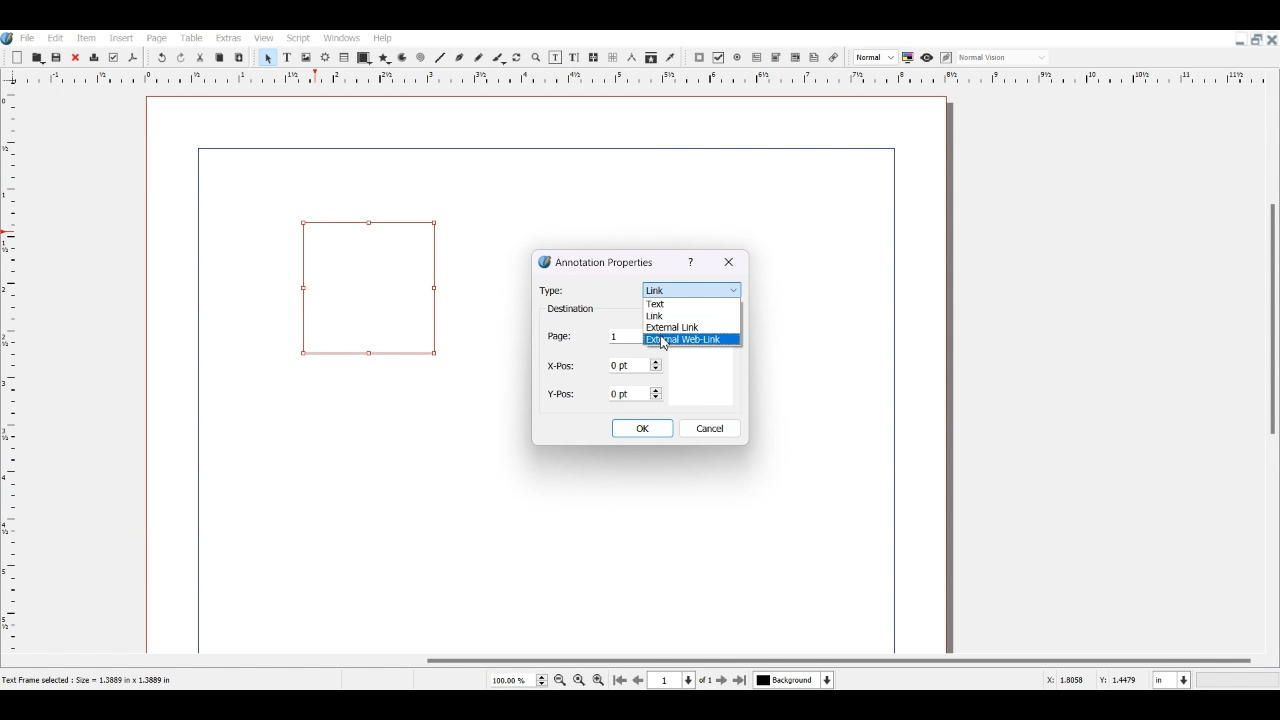 Image resolution: width=1280 pixels, height=720 pixels. What do you see at coordinates (742, 681) in the screenshot?
I see `Go to Last Page` at bounding box center [742, 681].